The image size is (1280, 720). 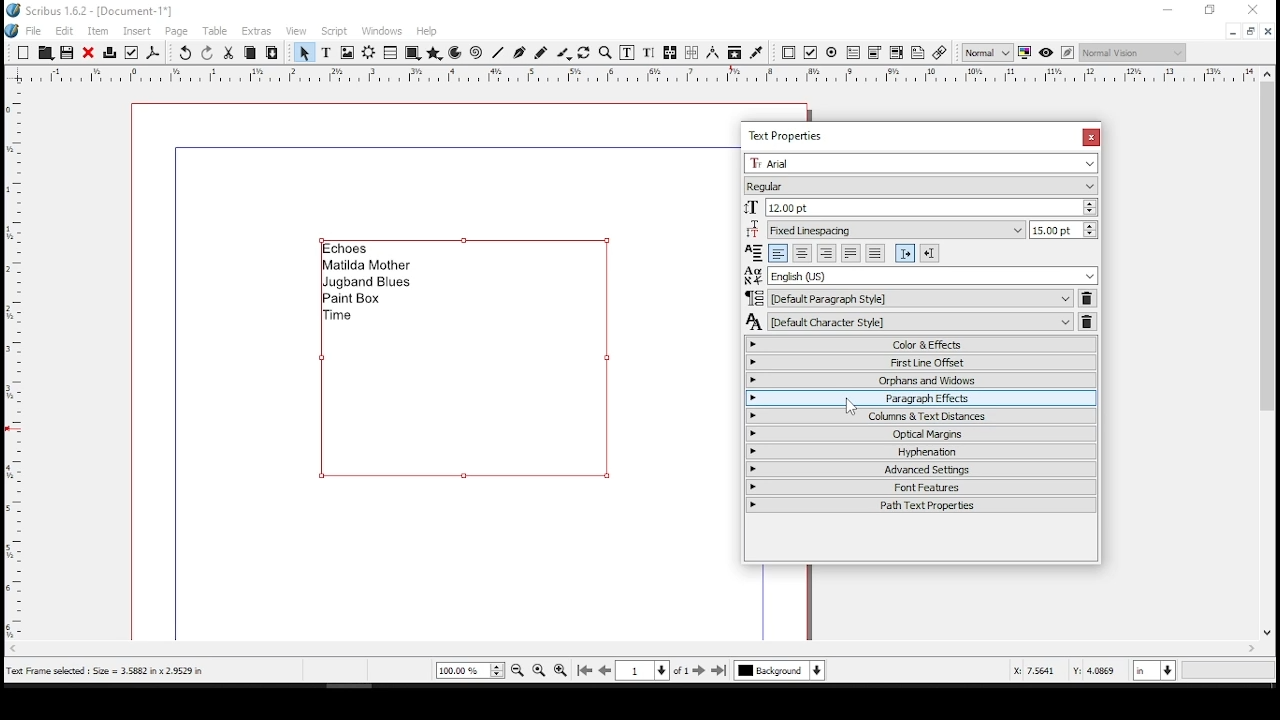 What do you see at coordinates (88, 52) in the screenshot?
I see `close` at bounding box center [88, 52].